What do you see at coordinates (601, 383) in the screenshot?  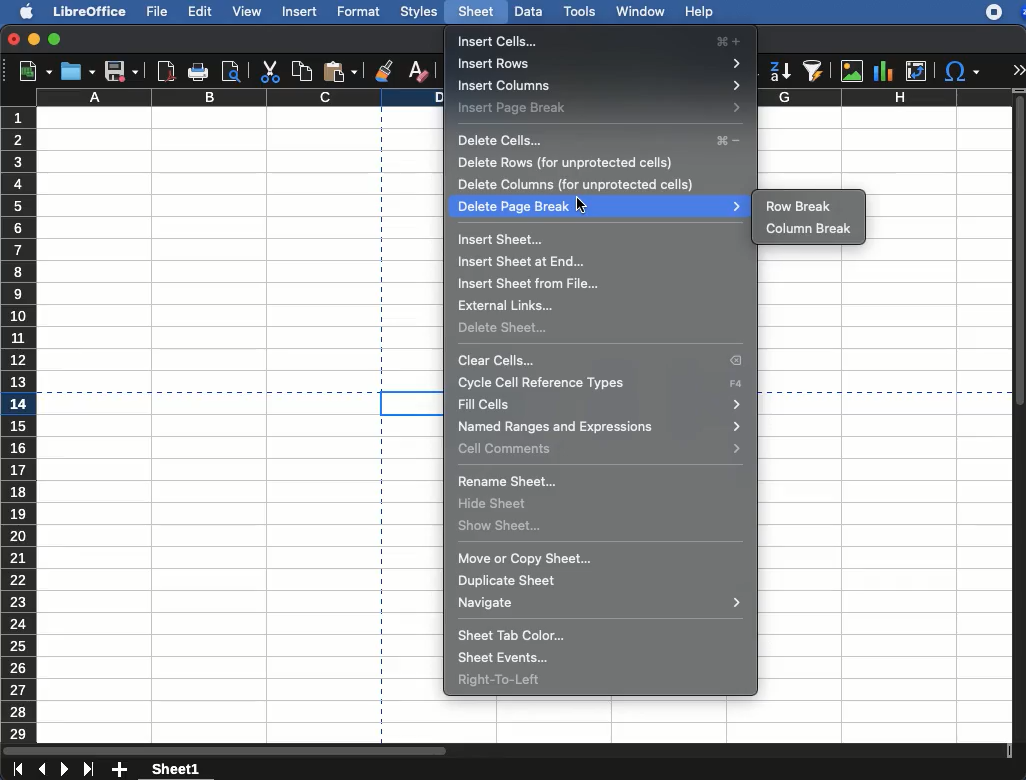 I see `cycle cell reference type` at bounding box center [601, 383].